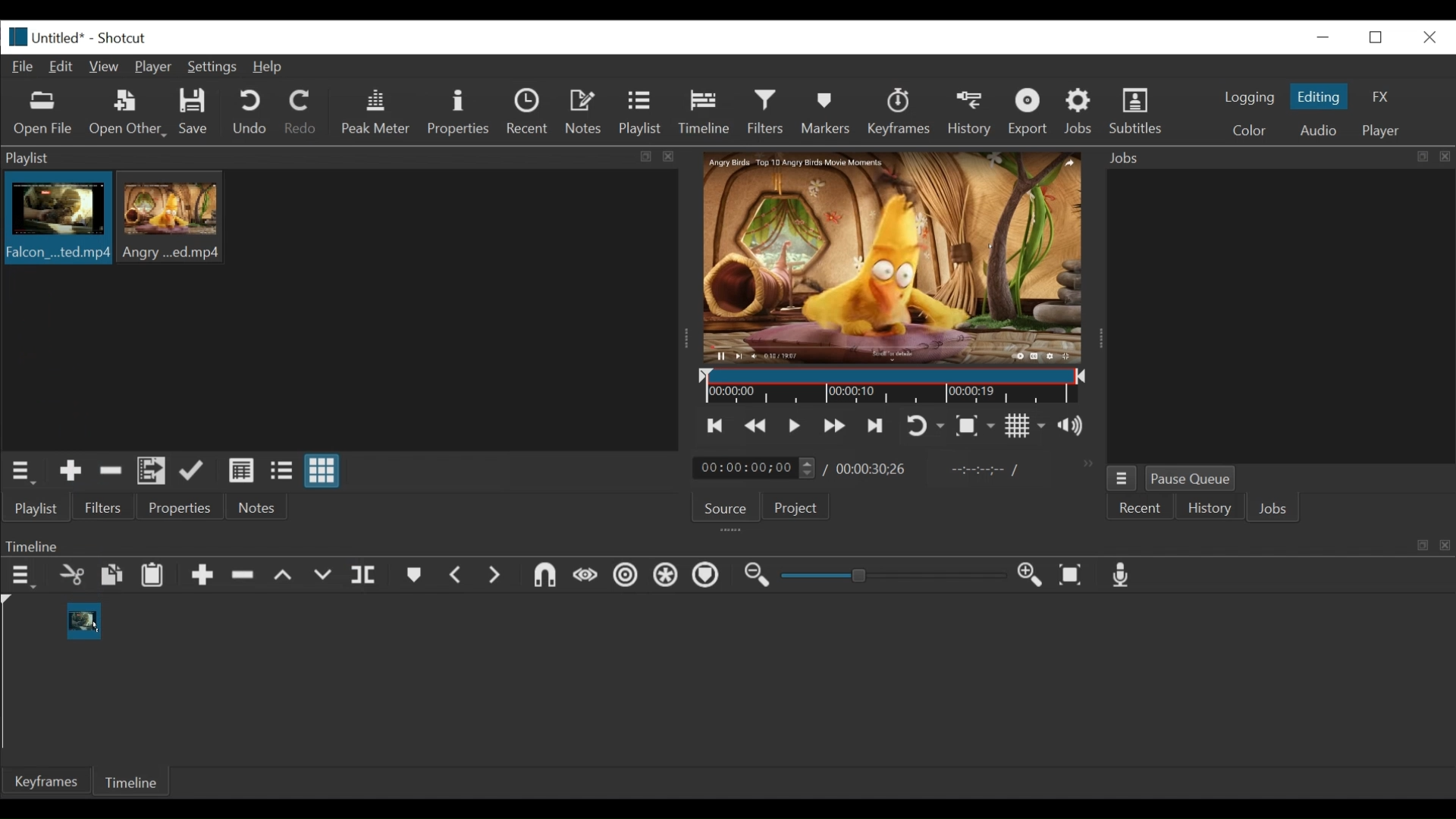  What do you see at coordinates (1077, 427) in the screenshot?
I see `show volume control` at bounding box center [1077, 427].